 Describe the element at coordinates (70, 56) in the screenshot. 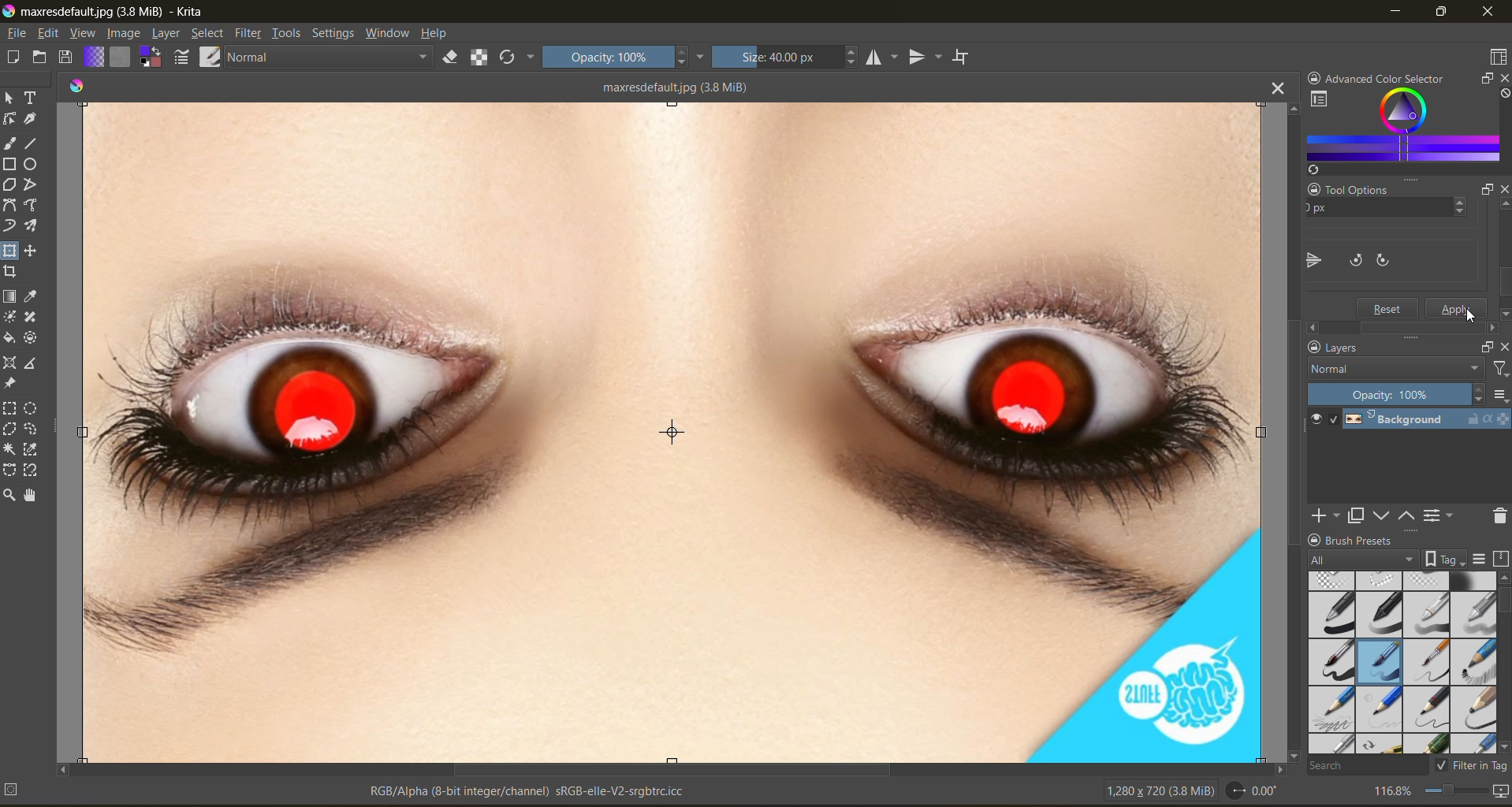

I see `save` at that location.